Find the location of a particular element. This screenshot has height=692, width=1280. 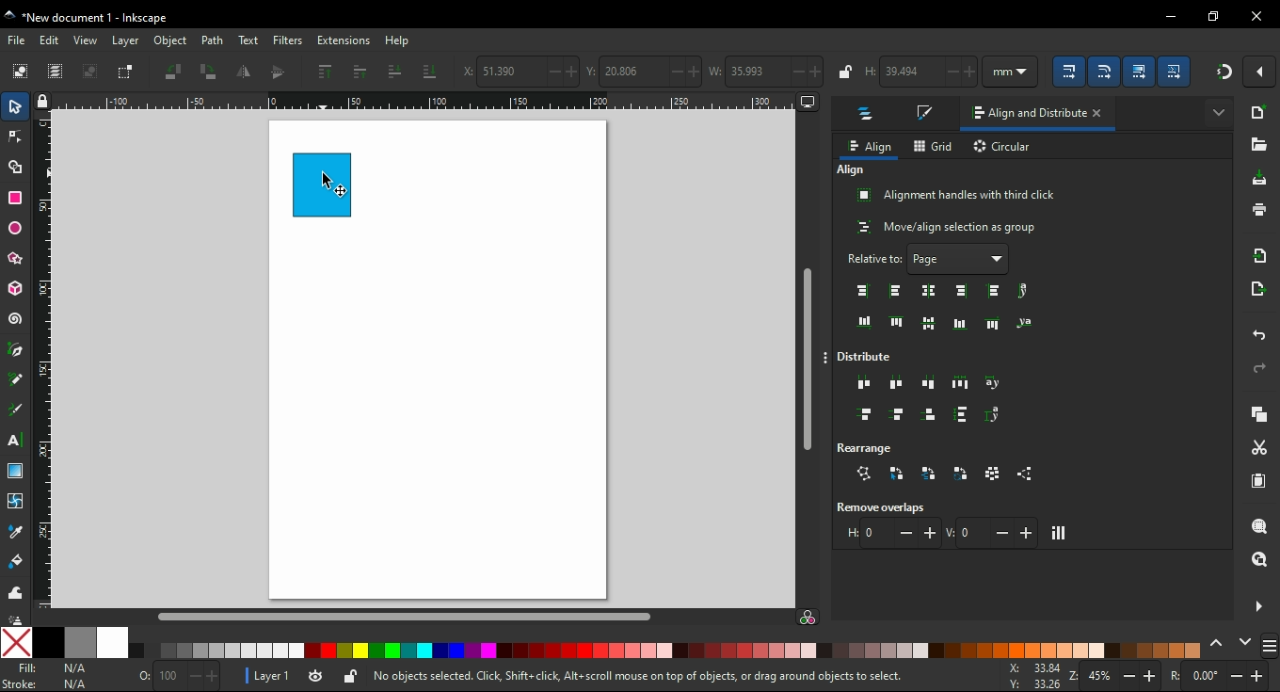

scroll bar is located at coordinates (807, 350).